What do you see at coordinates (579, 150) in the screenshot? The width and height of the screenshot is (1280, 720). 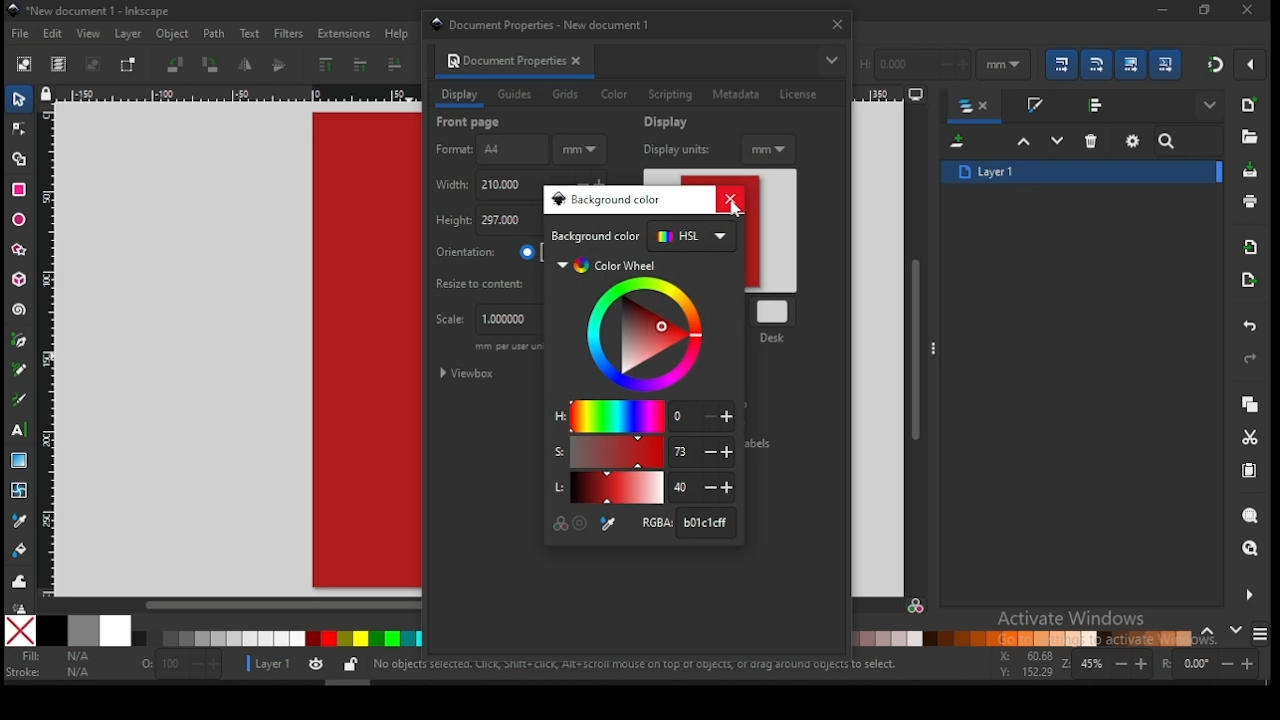 I see `units` at bounding box center [579, 150].